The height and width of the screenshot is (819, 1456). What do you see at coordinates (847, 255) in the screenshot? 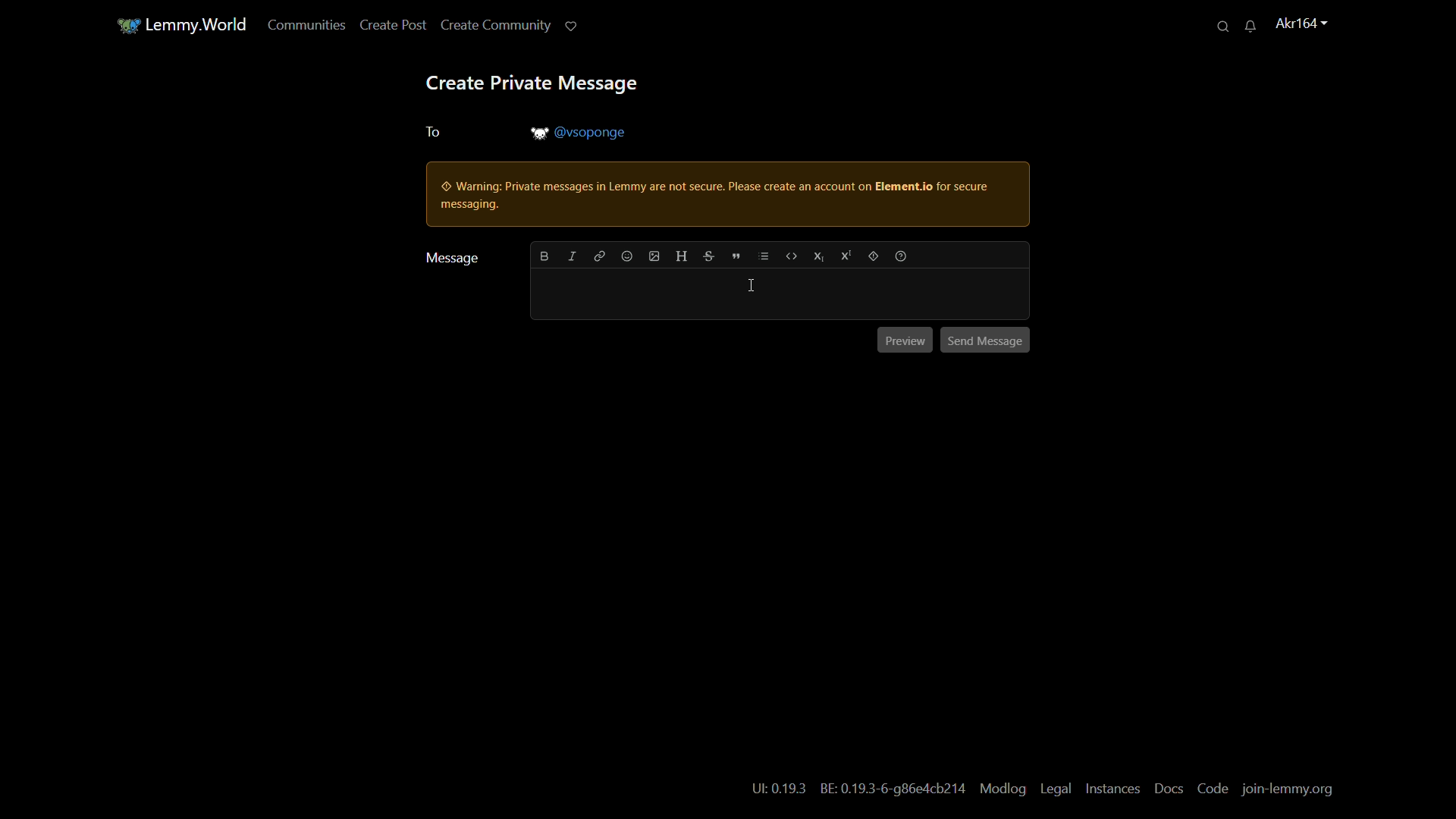
I see `superscript` at bounding box center [847, 255].